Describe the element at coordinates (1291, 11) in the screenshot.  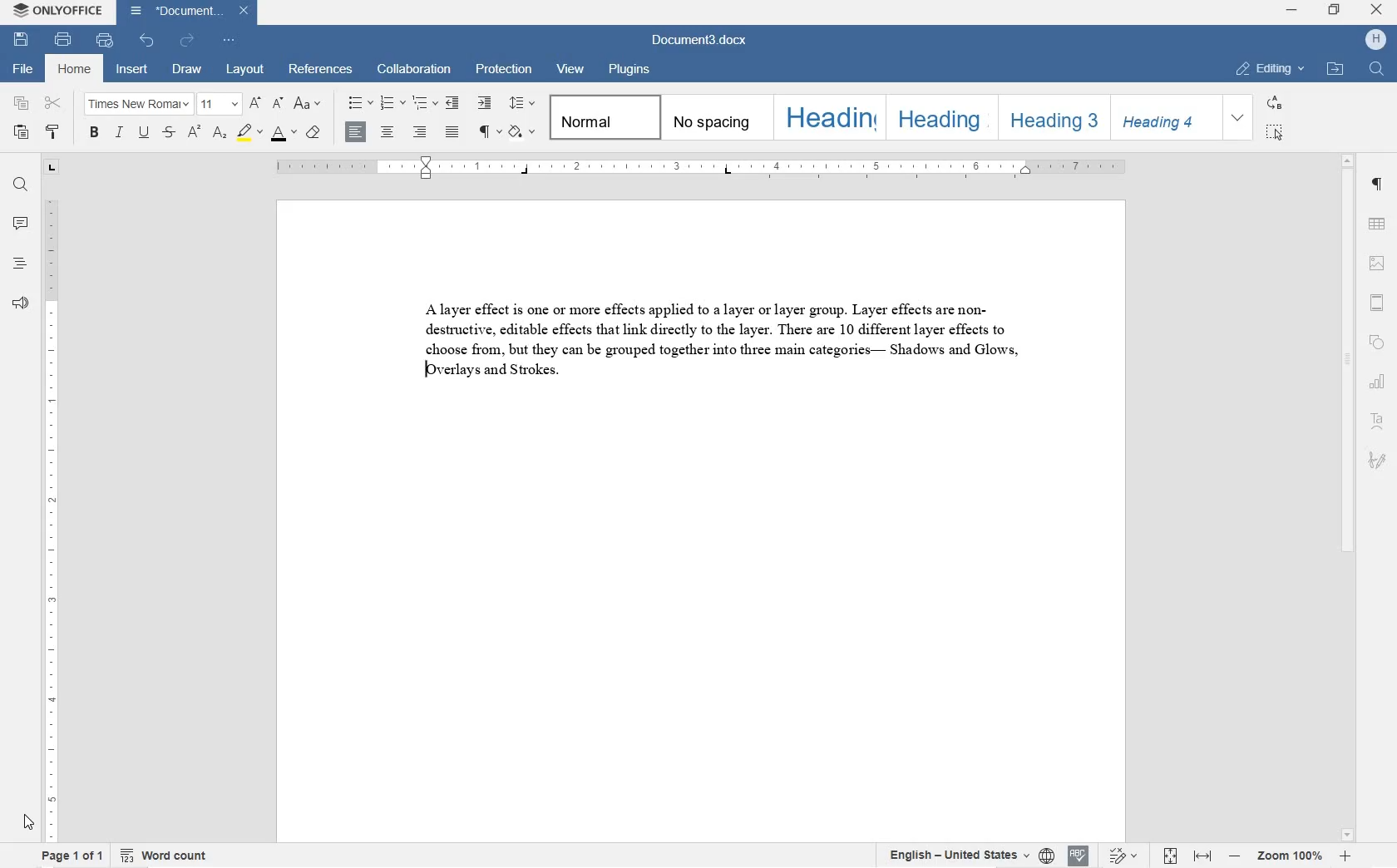
I see `MINIMIZE` at that location.